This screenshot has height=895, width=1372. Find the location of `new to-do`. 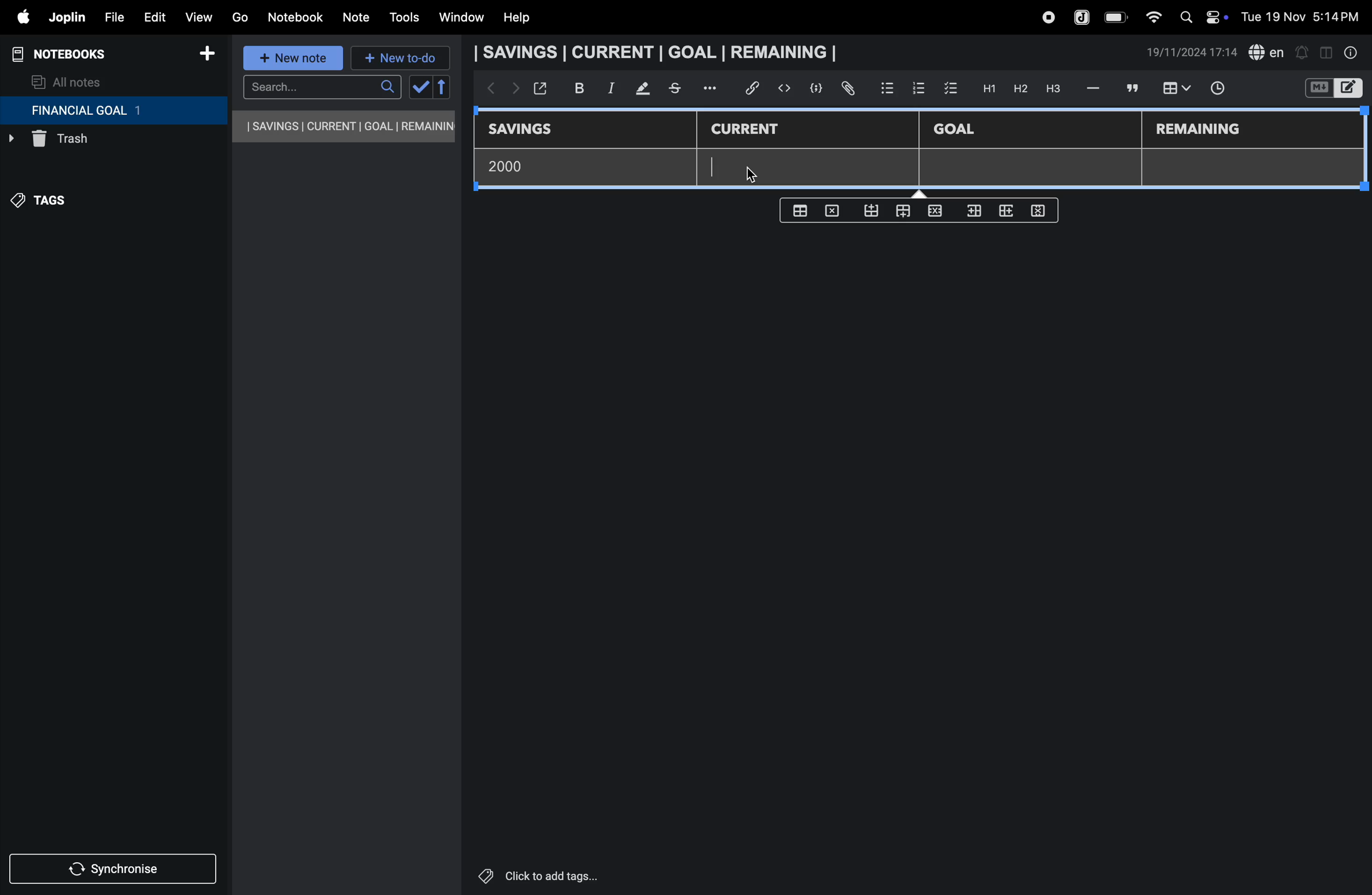

new to-do is located at coordinates (401, 59).